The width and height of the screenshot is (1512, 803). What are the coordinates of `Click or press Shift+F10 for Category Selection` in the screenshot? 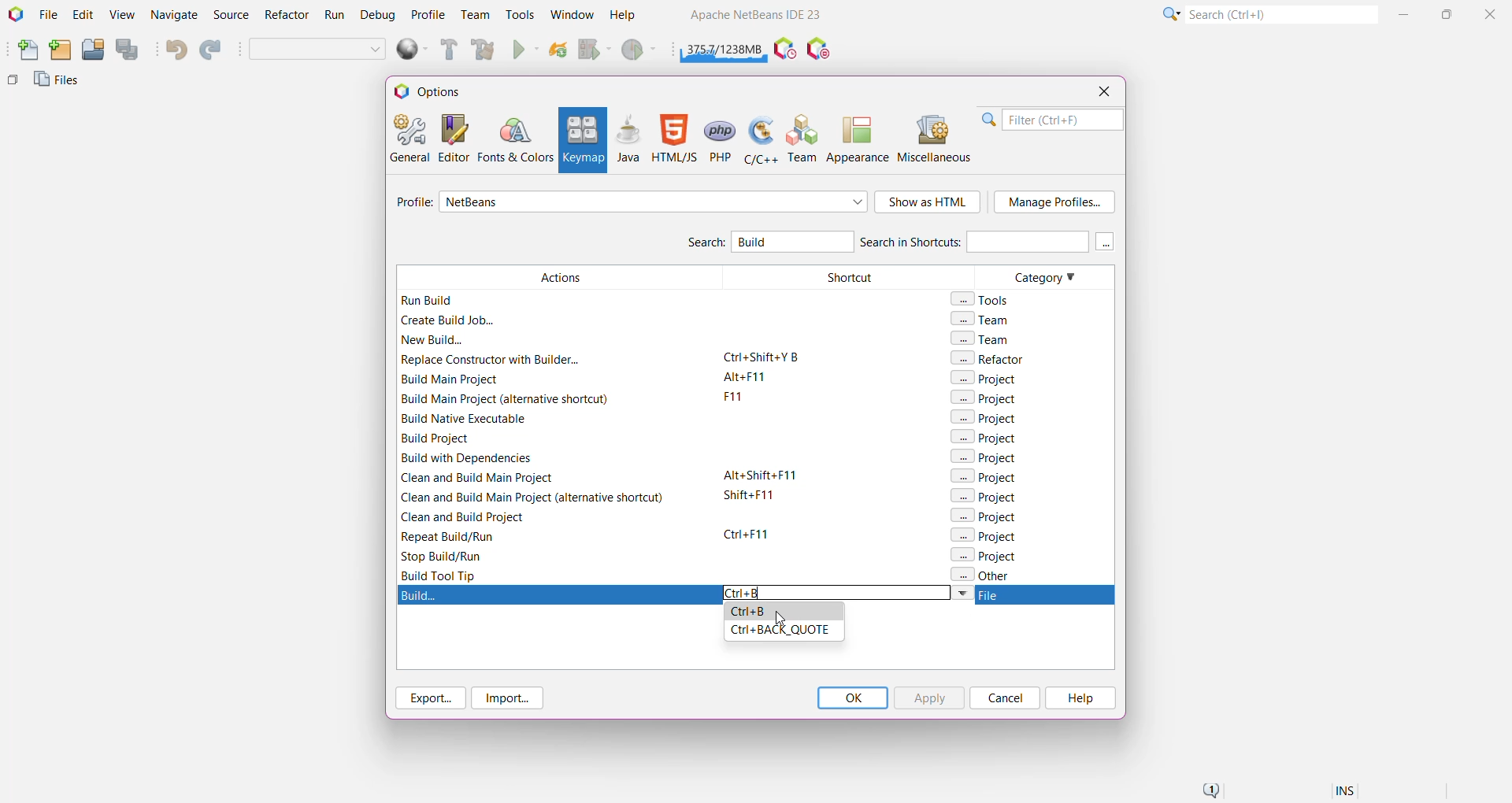 It's located at (1169, 13).